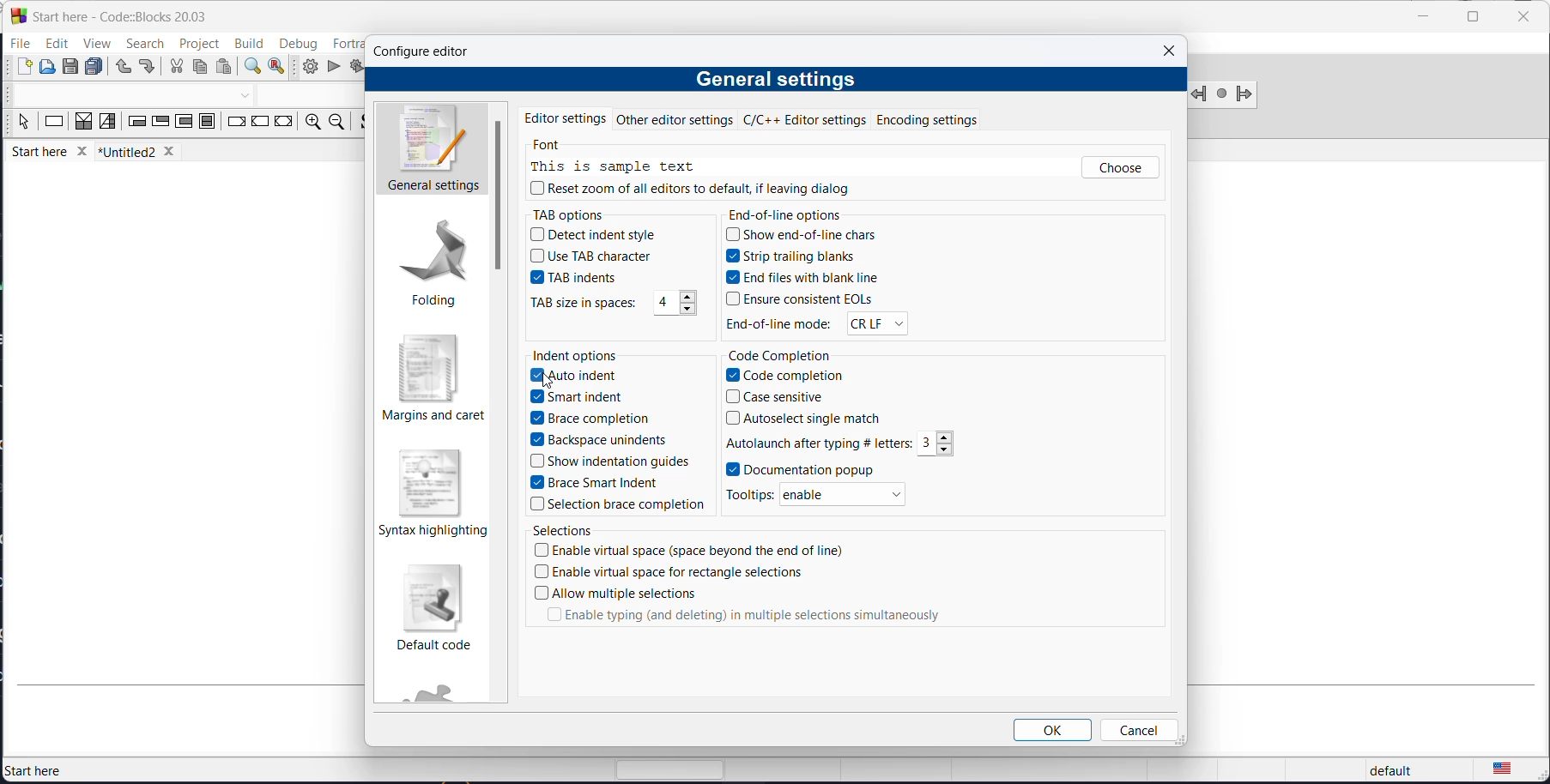 The height and width of the screenshot is (784, 1550). What do you see at coordinates (1502, 764) in the screenshot?
I see `English US Language` at bounding box center [1502, 764].